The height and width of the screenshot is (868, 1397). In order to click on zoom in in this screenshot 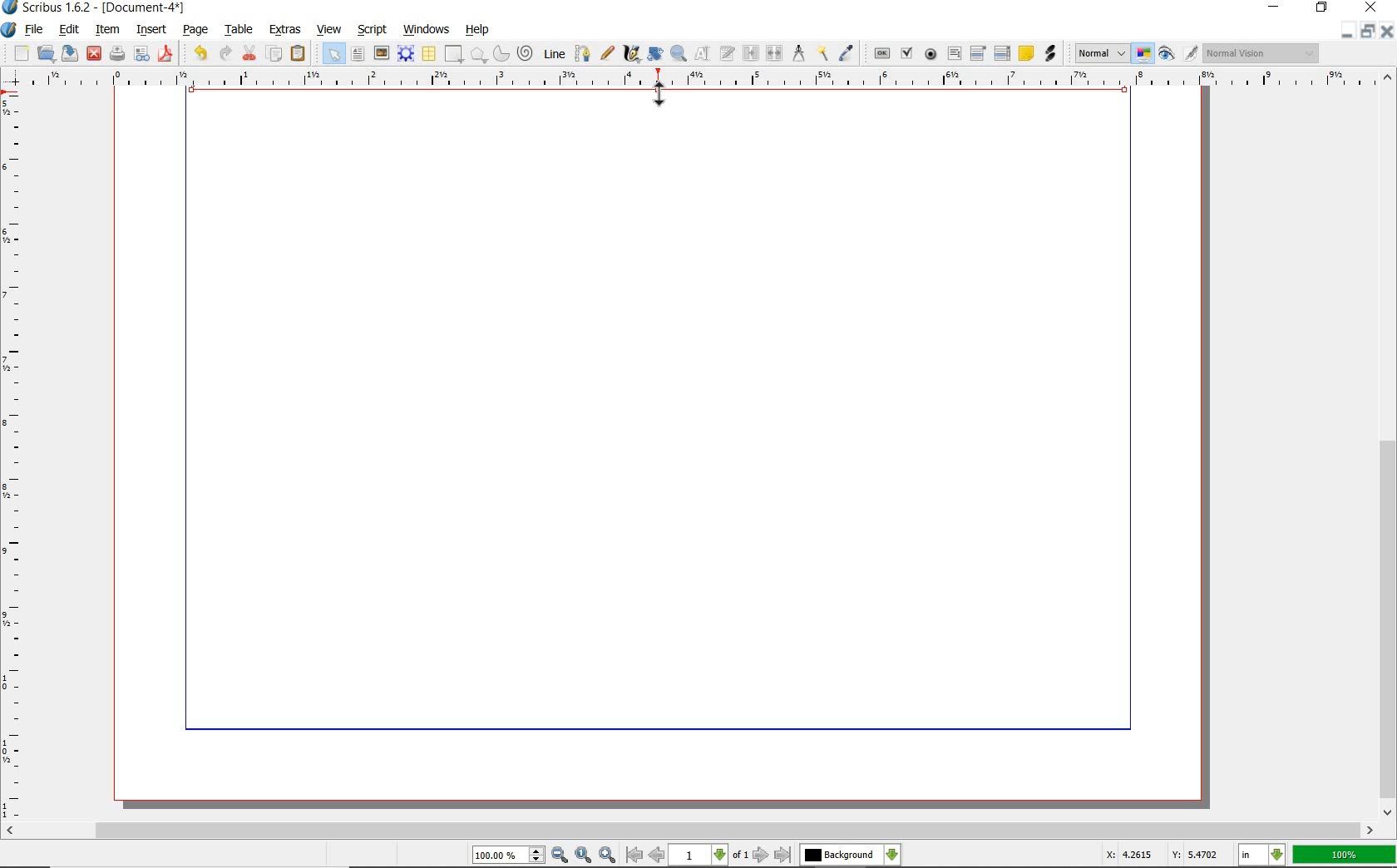, I will do `click(608, 855)`.